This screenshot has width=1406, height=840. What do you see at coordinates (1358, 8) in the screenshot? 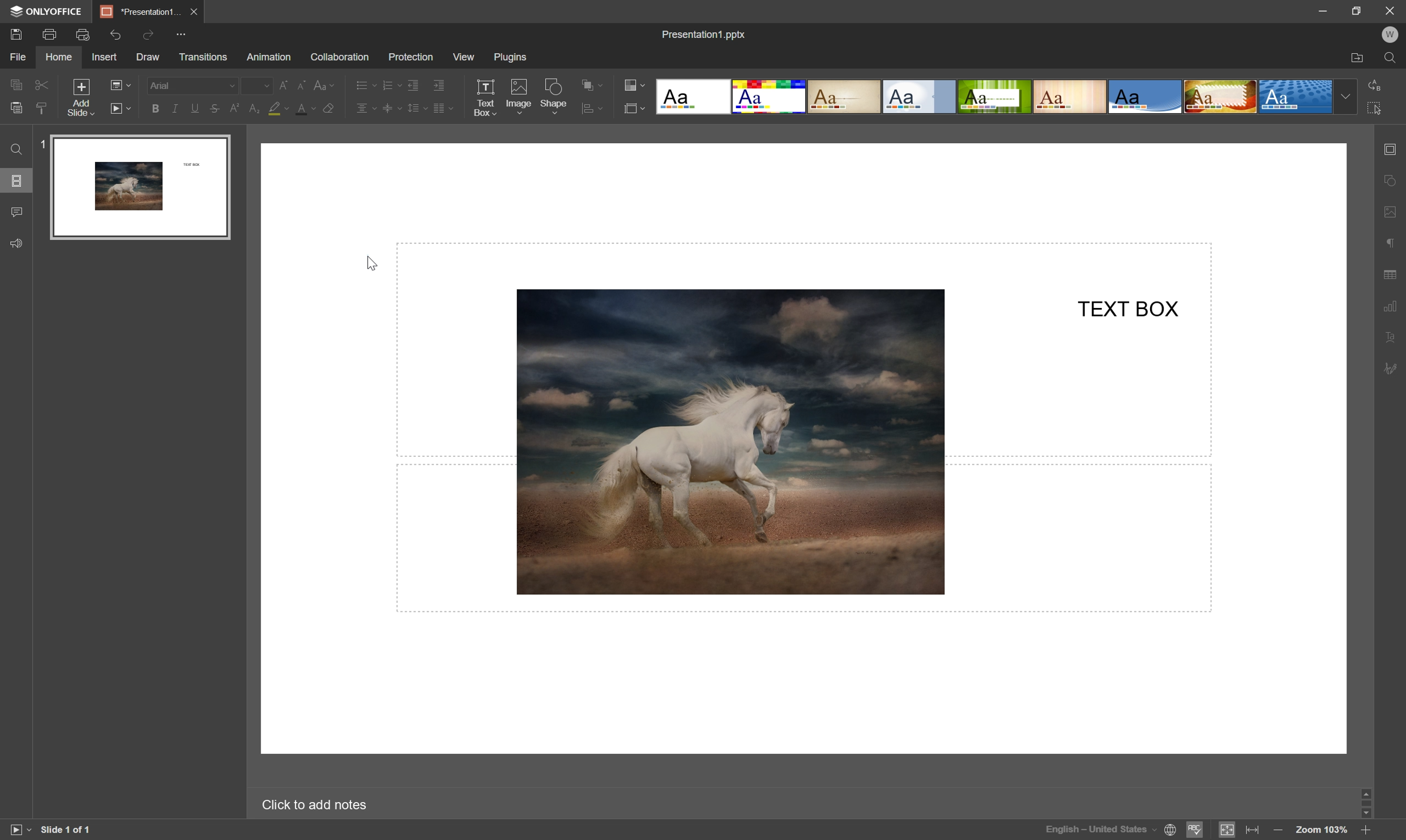
I see `restore down` at bounding box center [1358, 8].